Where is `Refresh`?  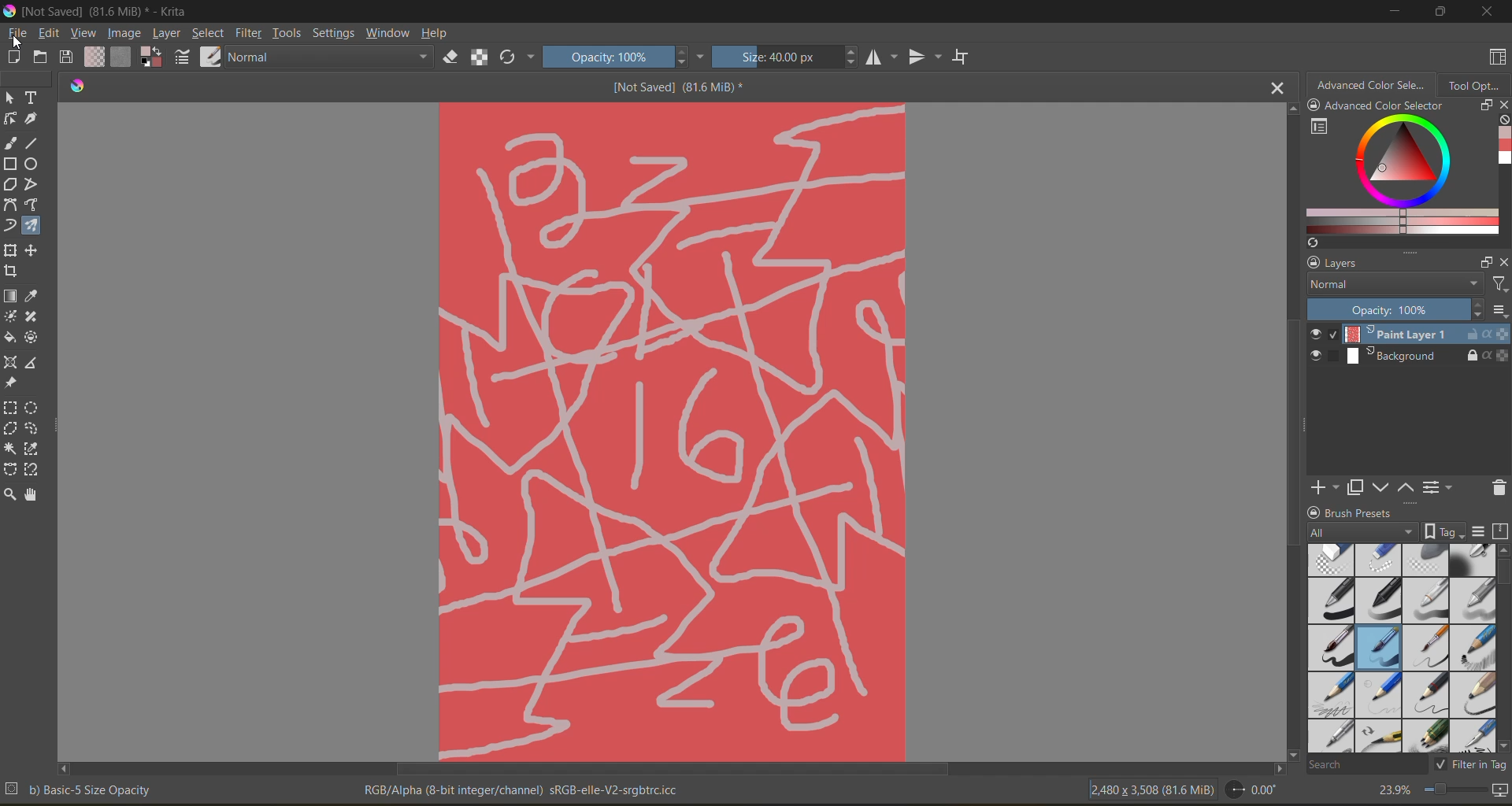 Refresh is located at coordinates (1310, 242).